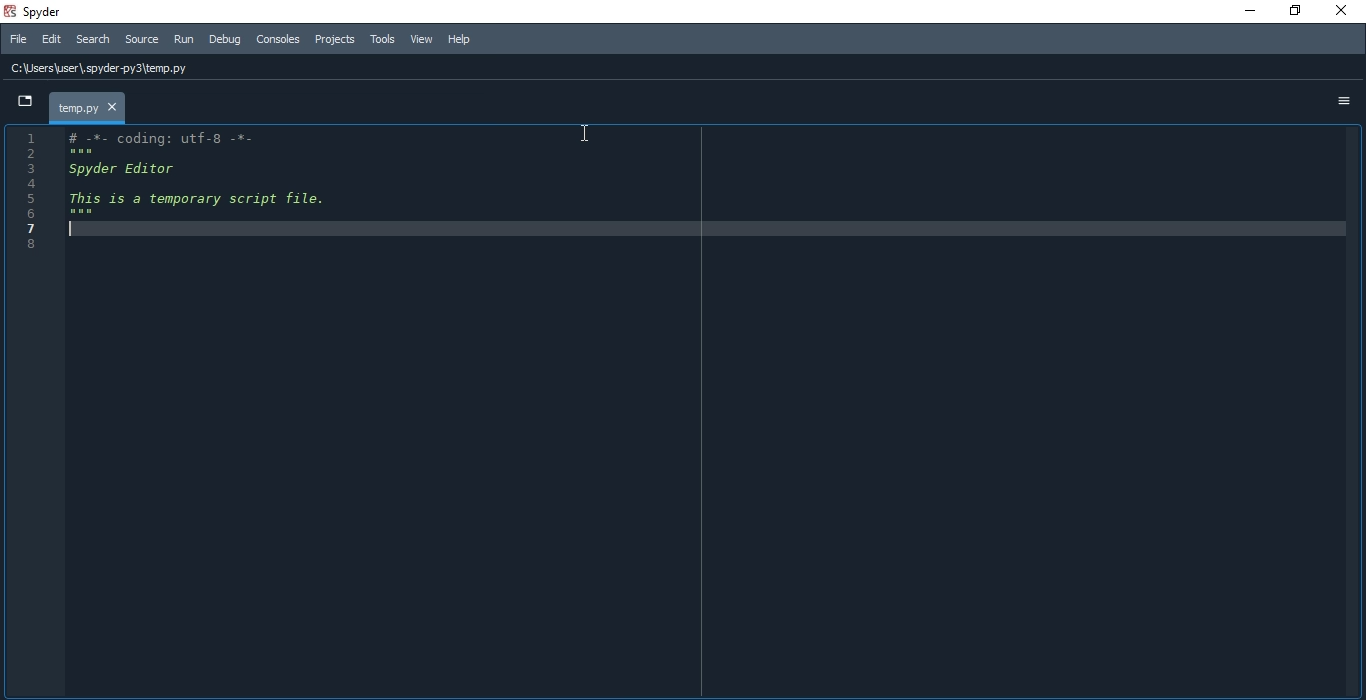 This screenshot has width=1366, height=700. I want to click on restore, so click(1295, 12).